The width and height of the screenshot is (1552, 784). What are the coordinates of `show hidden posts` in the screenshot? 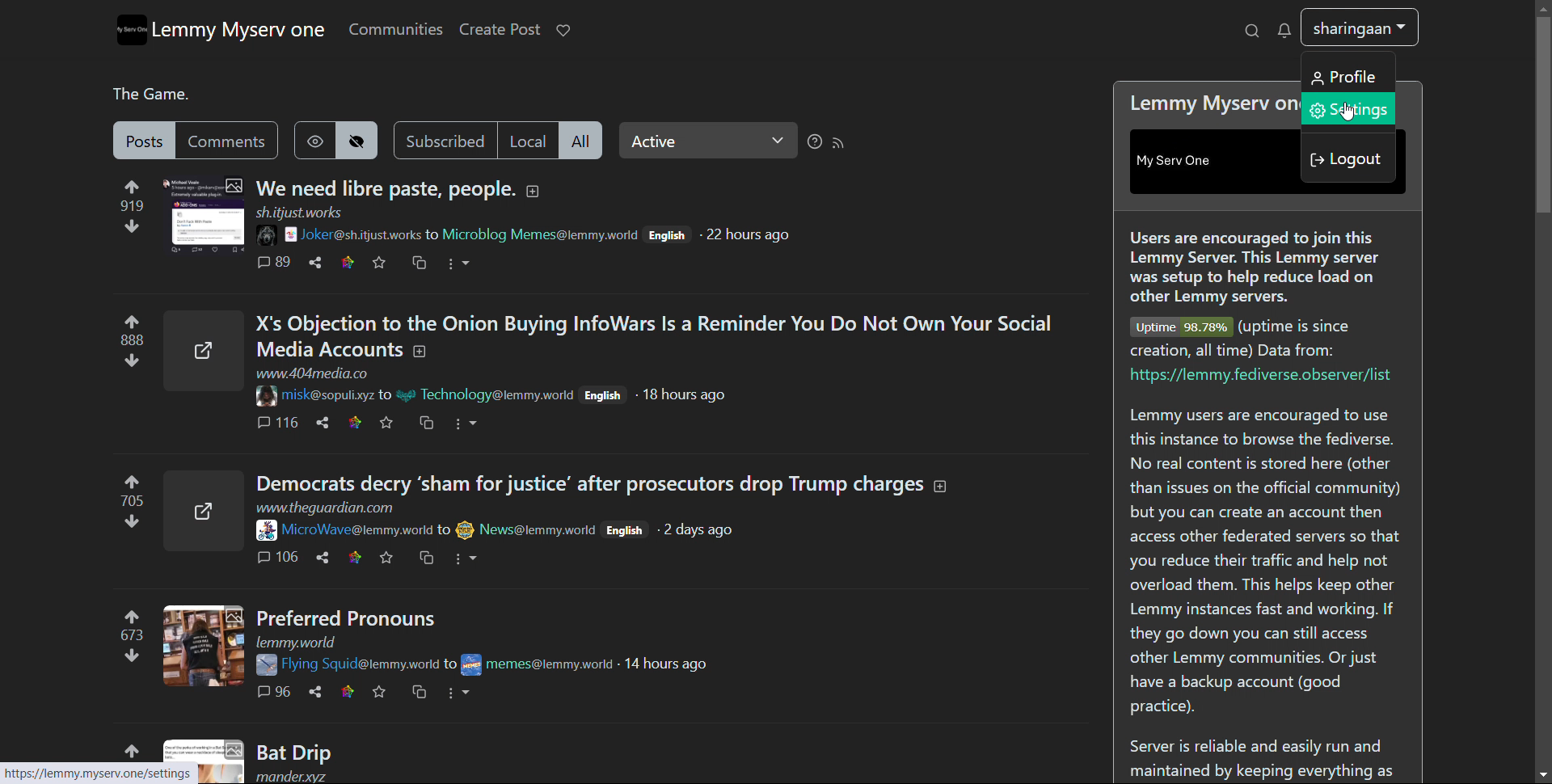 It's located at (314, 141).